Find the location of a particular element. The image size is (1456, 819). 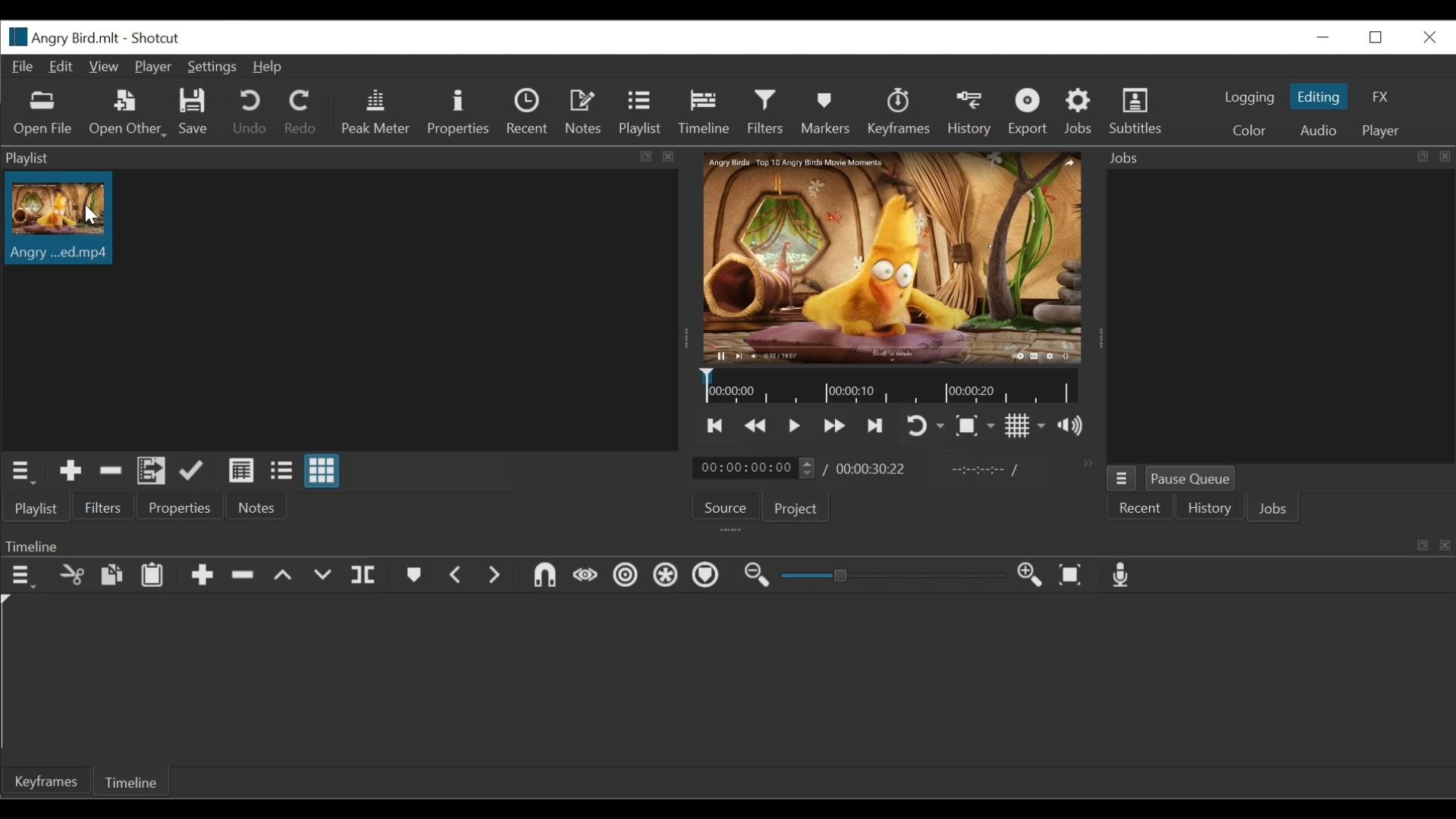

player is located at coordinates (1378, 131).